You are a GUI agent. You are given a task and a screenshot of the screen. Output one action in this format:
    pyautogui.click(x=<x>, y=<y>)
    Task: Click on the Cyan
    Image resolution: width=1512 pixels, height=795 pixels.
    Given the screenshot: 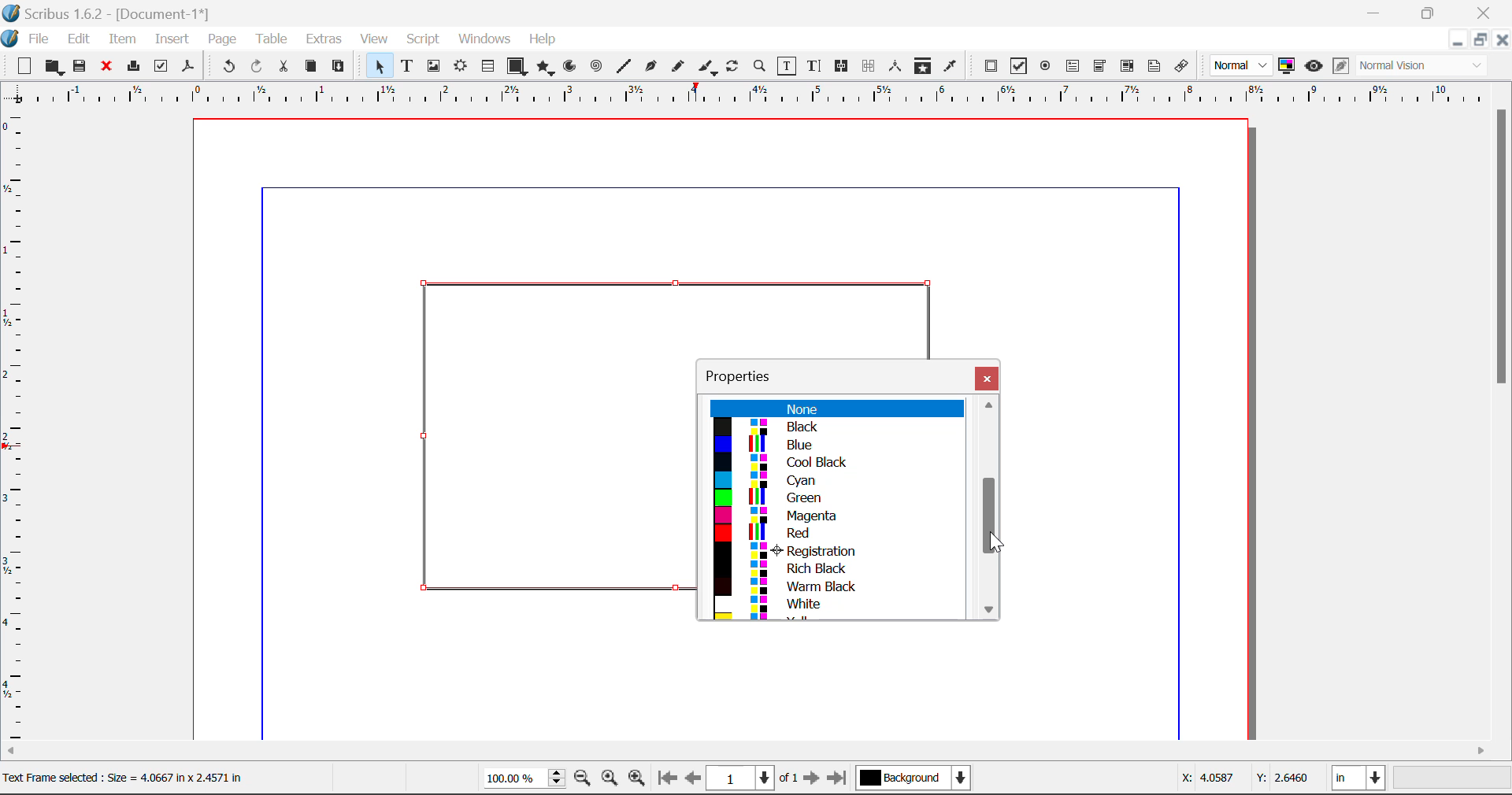 What is the action you would take?
    pyautogui.click(x=836, y=479)
    